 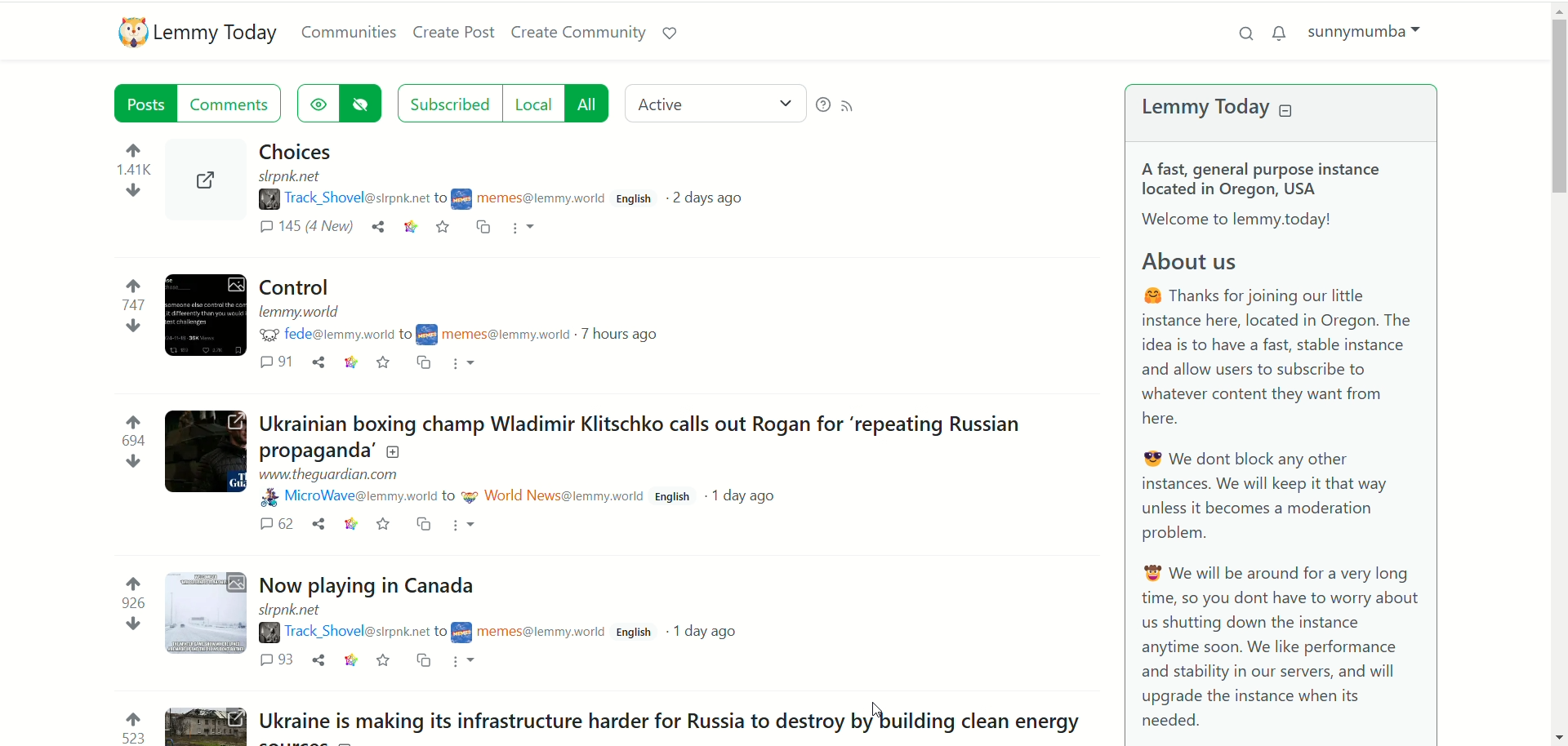 What do you see at coordinates (385, 363) in the screenshot?
I see `save` at bounding box center [385, 363].